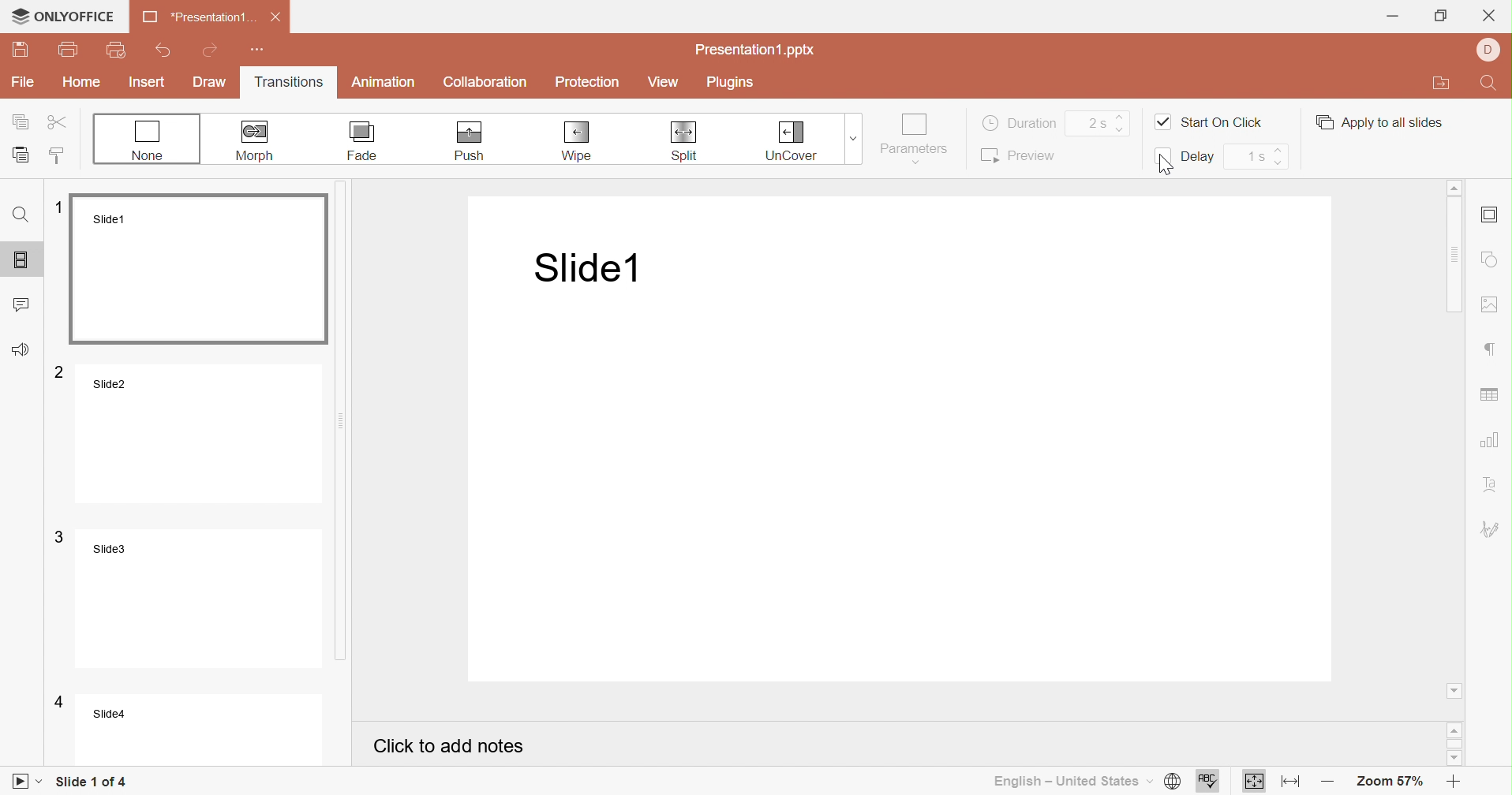  What do you see at coordinates (588, 84) in the screenshot?
I see `Protection` at bounding box center [588, 84].